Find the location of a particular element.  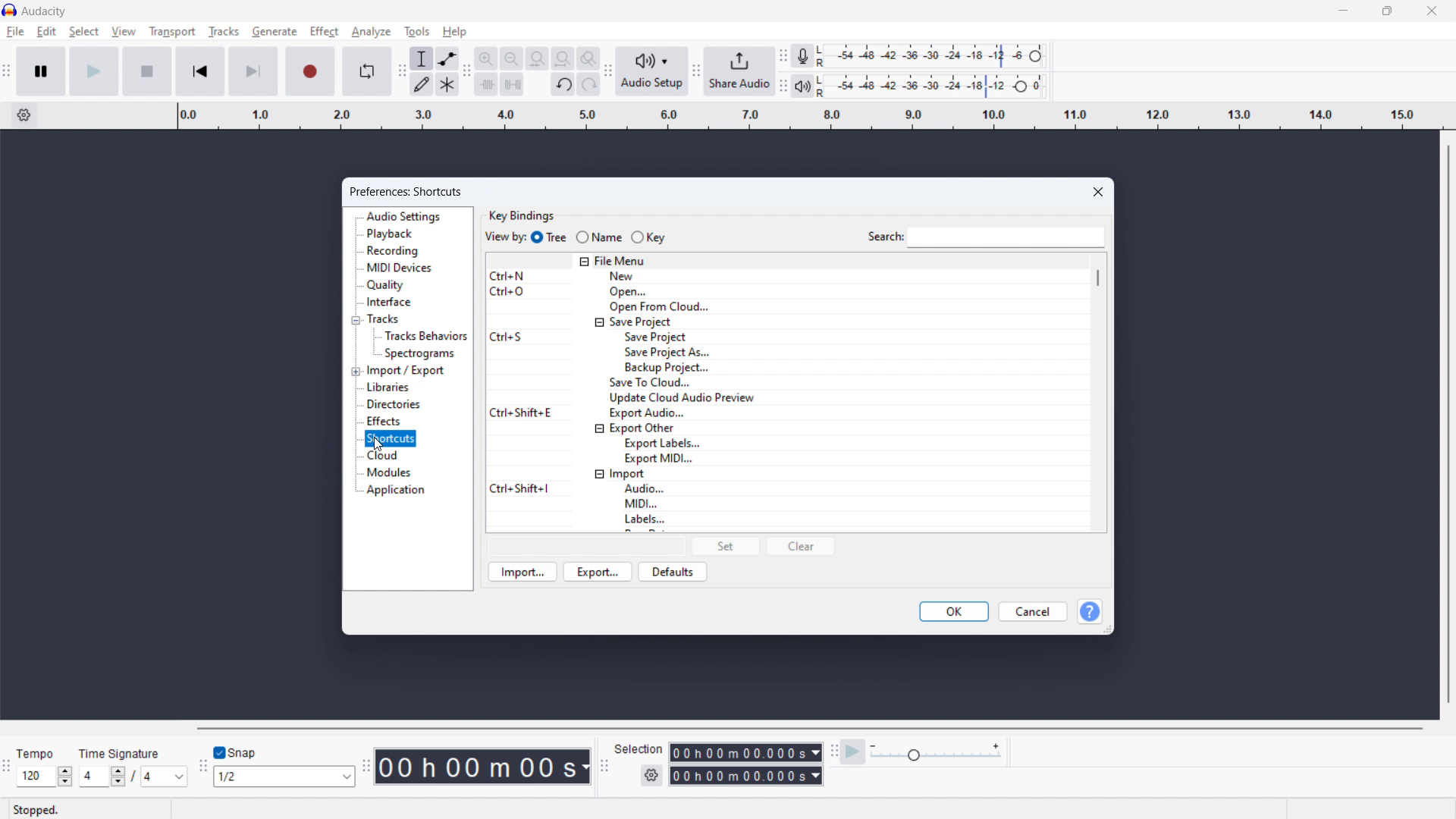

collapse is located at coordinates (601, 473).